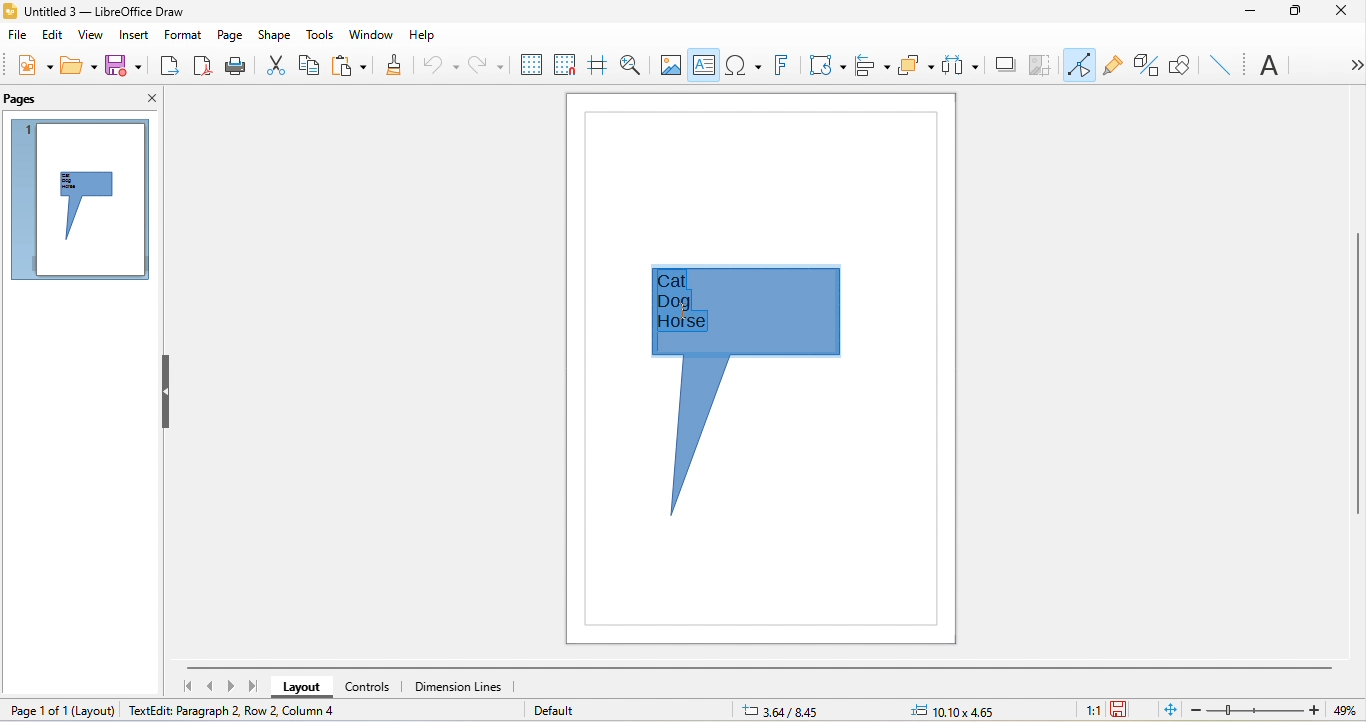 The width and height of the screenshot is (1366, 722). I want to click on previous page, so click(212, 687).